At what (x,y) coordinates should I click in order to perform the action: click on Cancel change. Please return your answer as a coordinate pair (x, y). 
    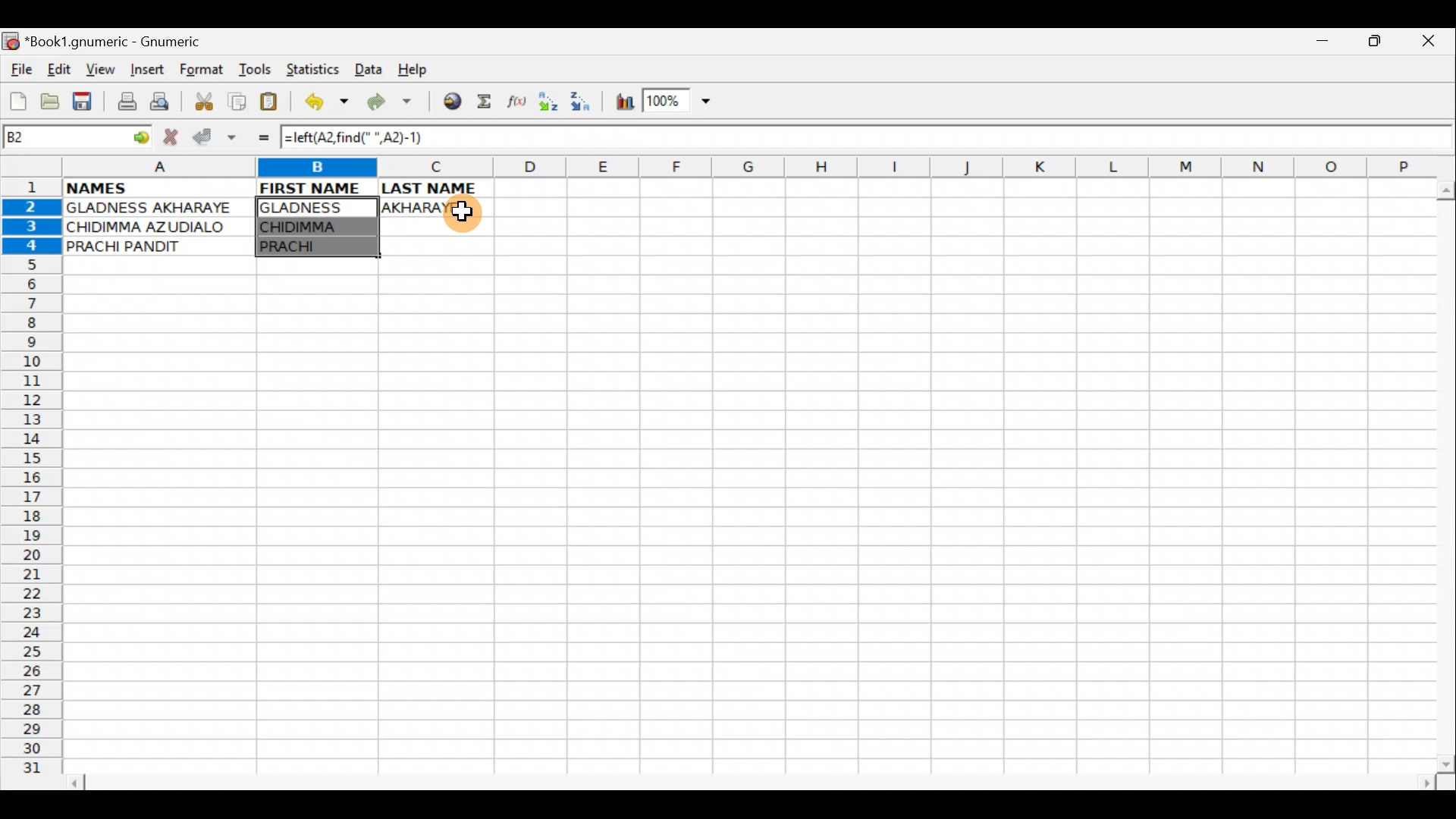
    Looking at the image, I should click on (174, 134).